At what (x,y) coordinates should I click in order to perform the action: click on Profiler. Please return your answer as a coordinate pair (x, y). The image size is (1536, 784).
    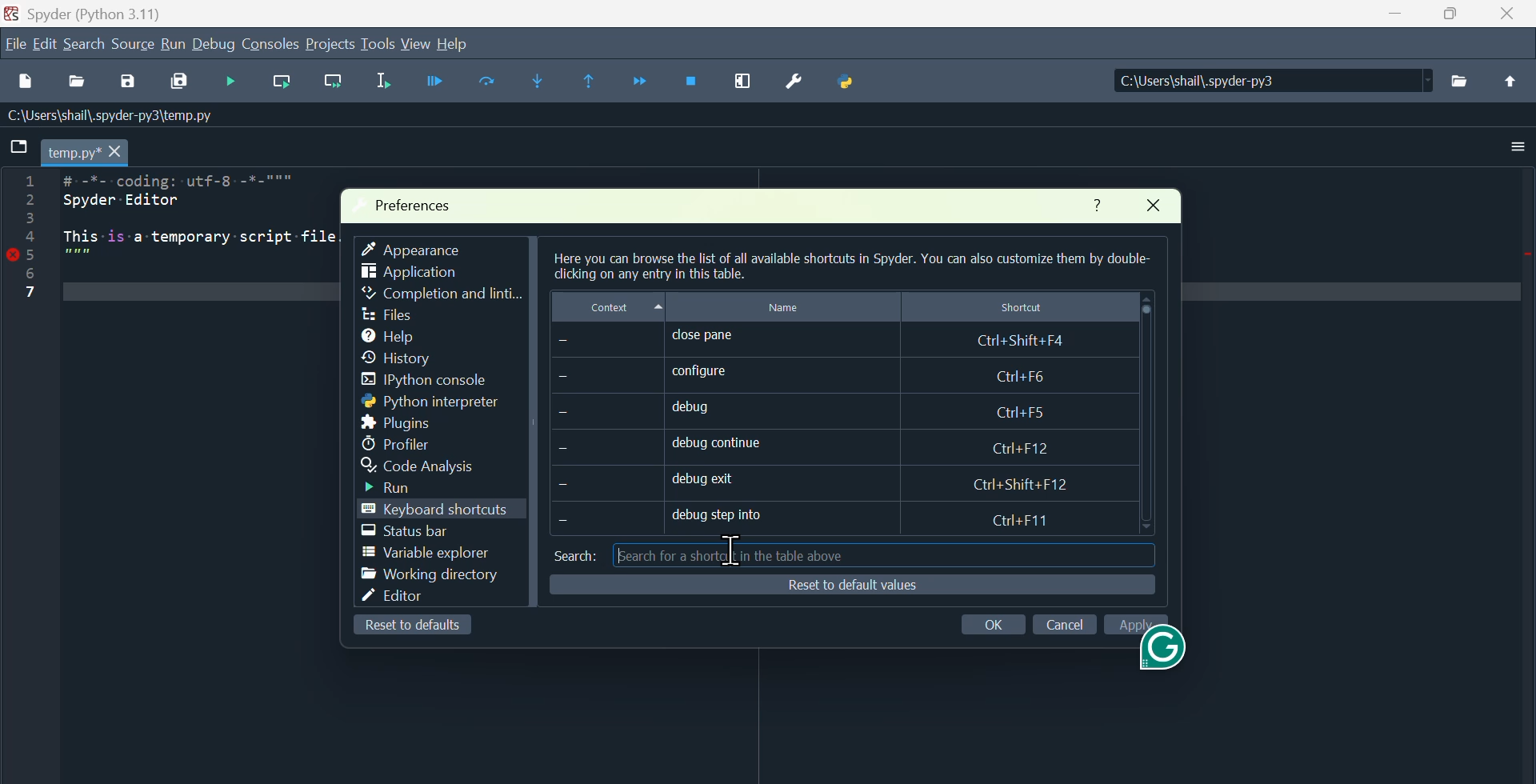
    Looking at the image, I should click on (396, 443).